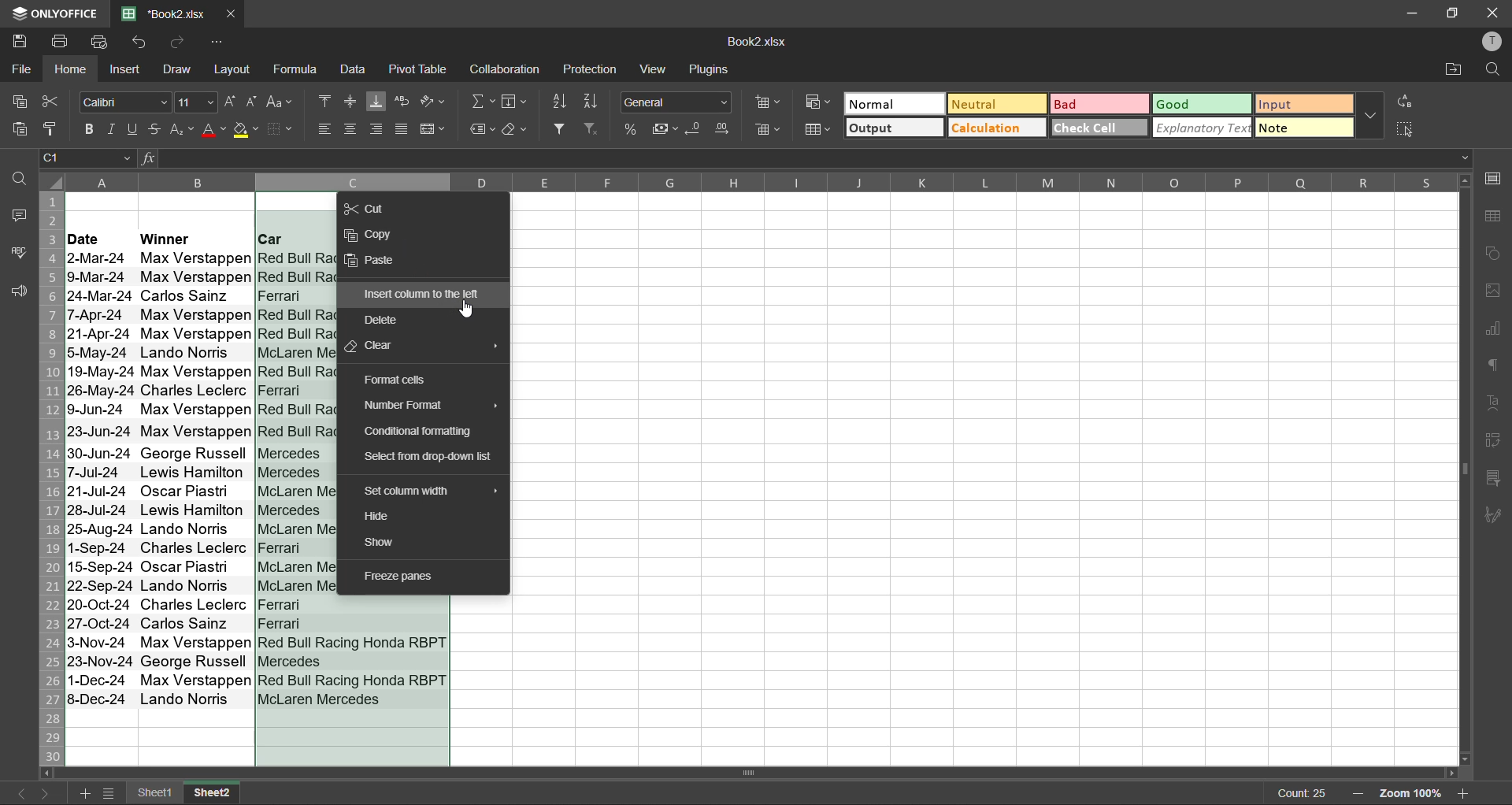  I want to click on c1, so click(88, 160).